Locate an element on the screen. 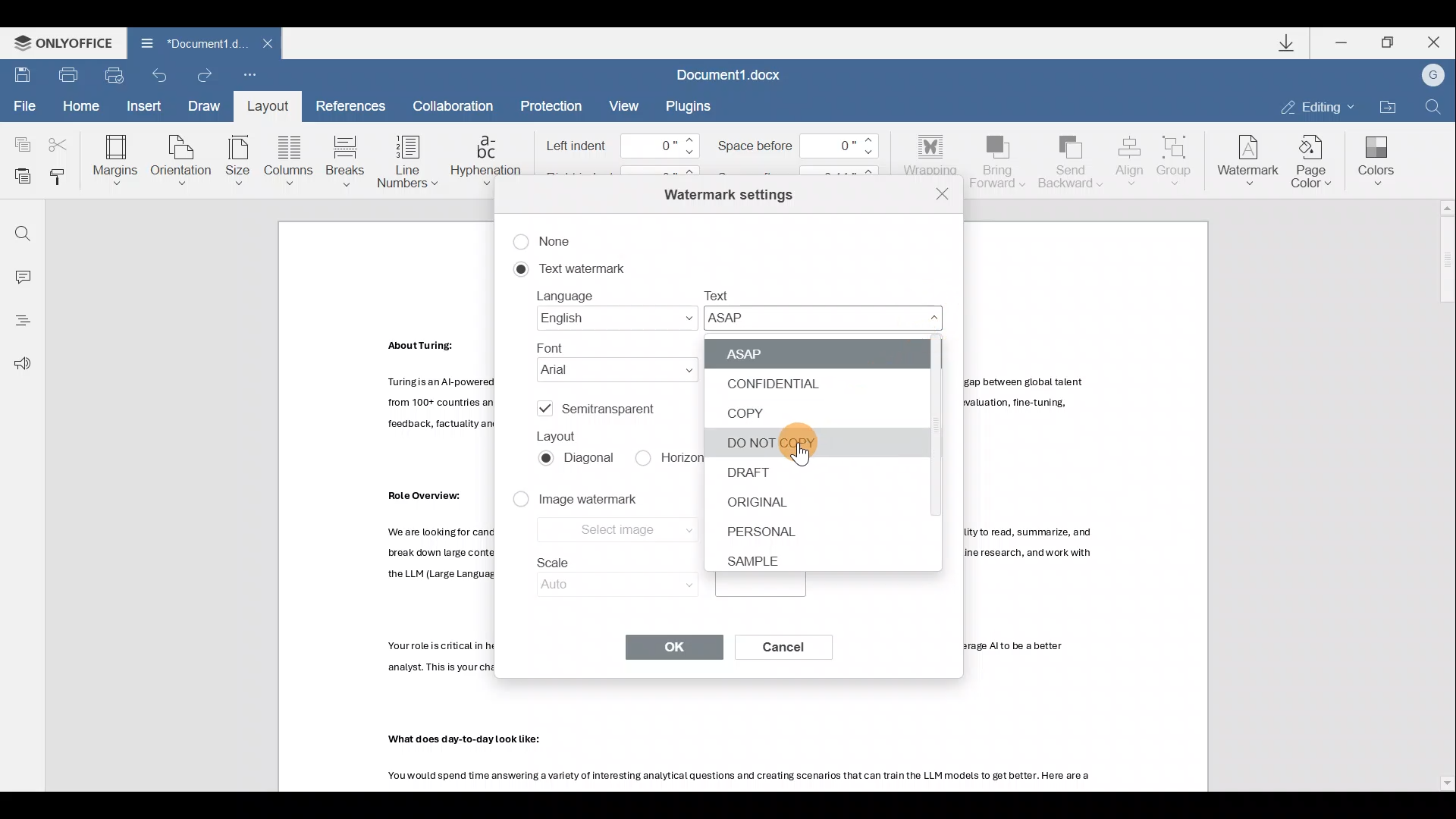  Close is located at coordinates (943, 193).